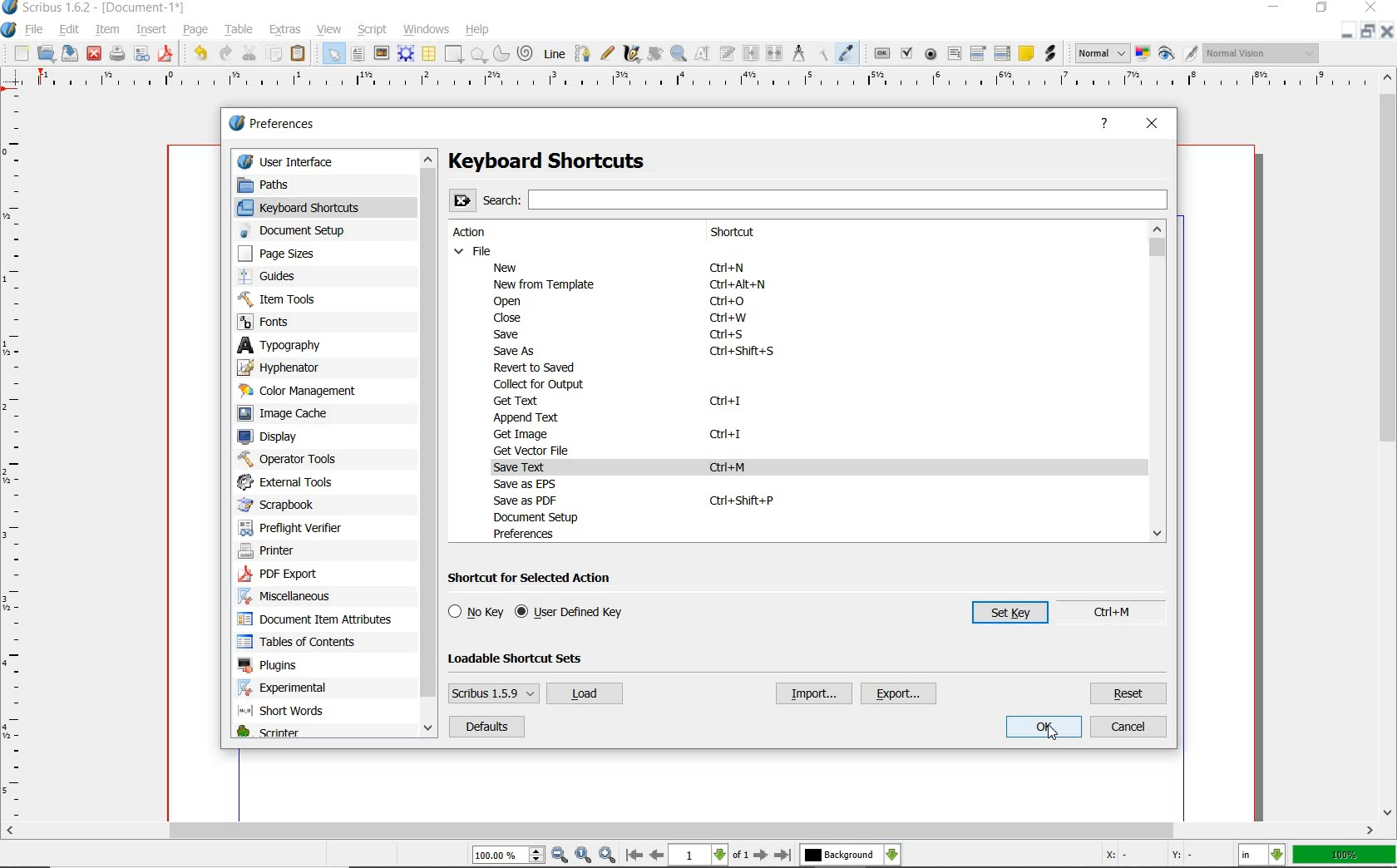 This screenshot has height=868, width=1397. Describe the element at coordinates (1002, 616) in the screenshot. I see `set key` at that location.